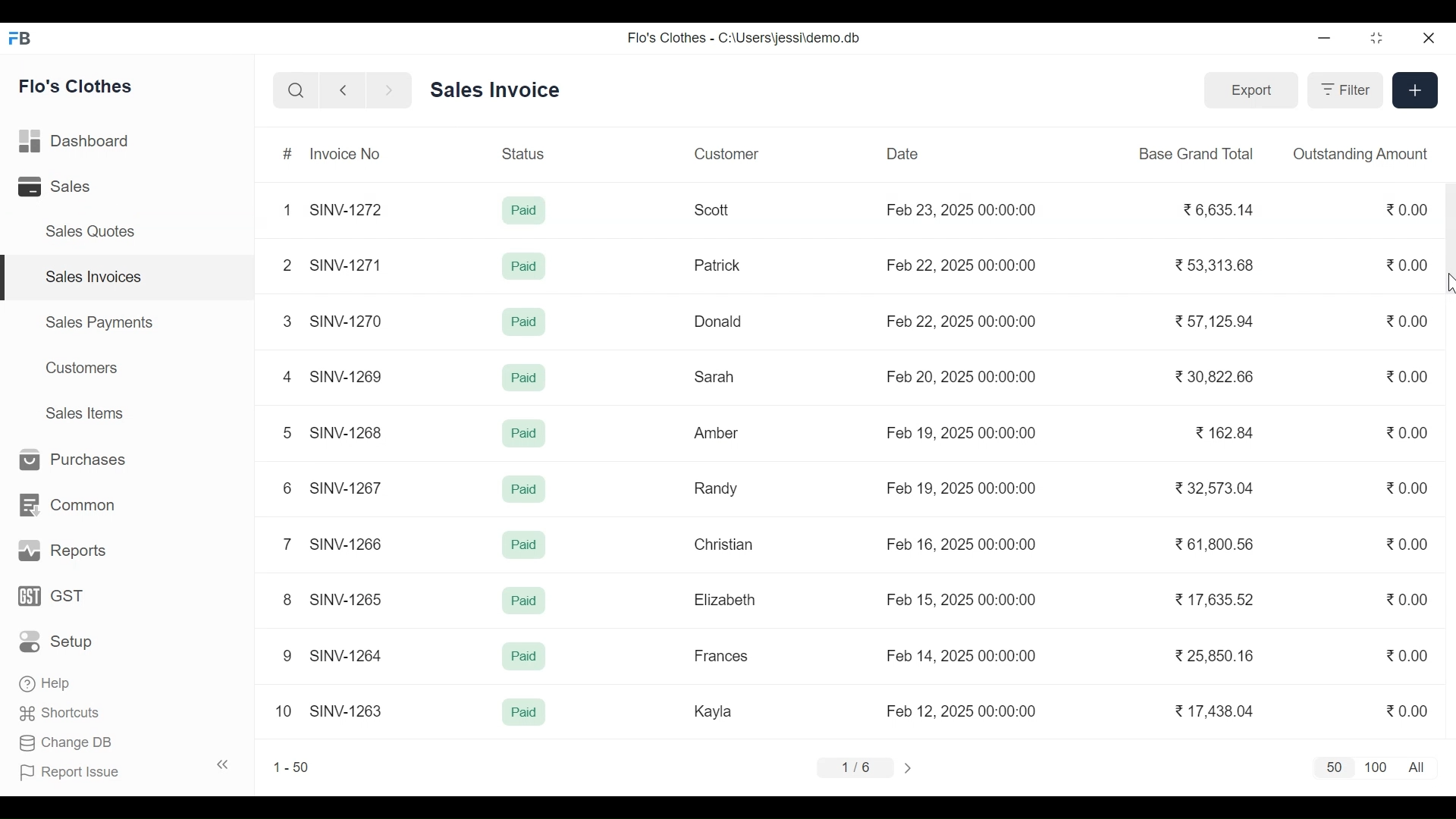  Describe the element at coordinates (523, 266) in the screenshot. I see `Paid` at that location.